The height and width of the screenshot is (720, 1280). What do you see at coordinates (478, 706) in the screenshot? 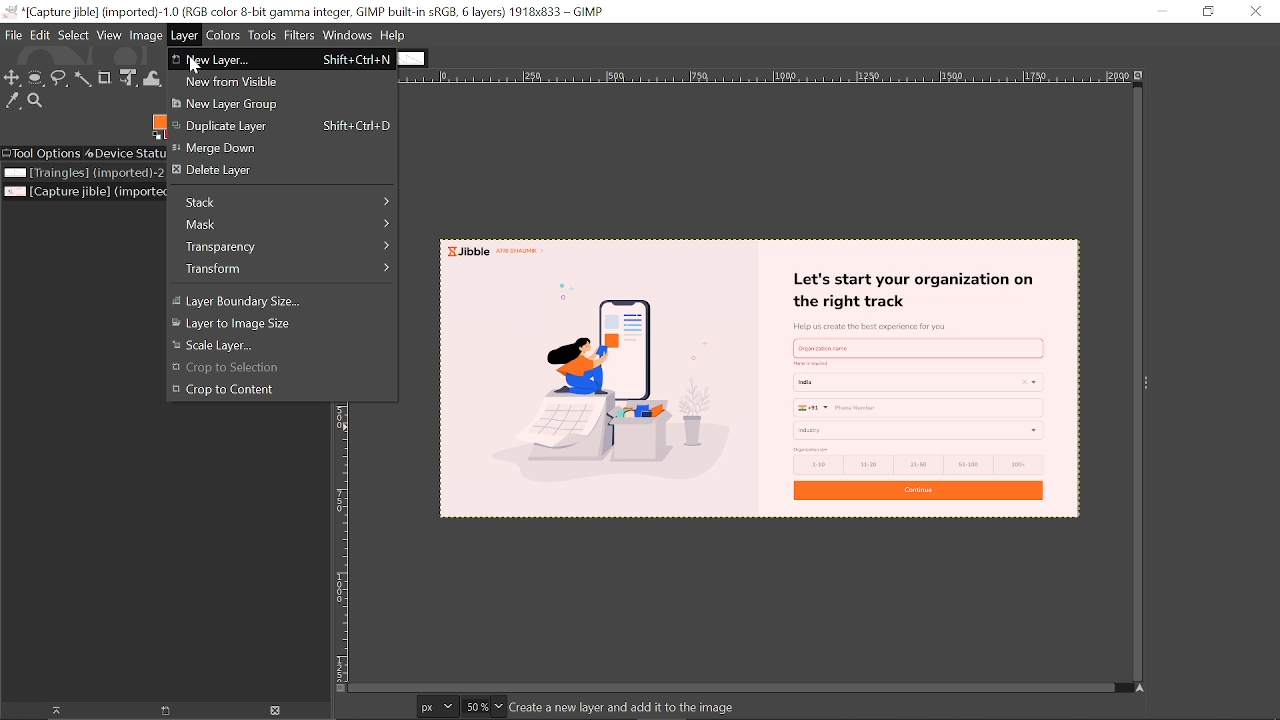
I see `Current zoom` at bounding box center [478, 706].